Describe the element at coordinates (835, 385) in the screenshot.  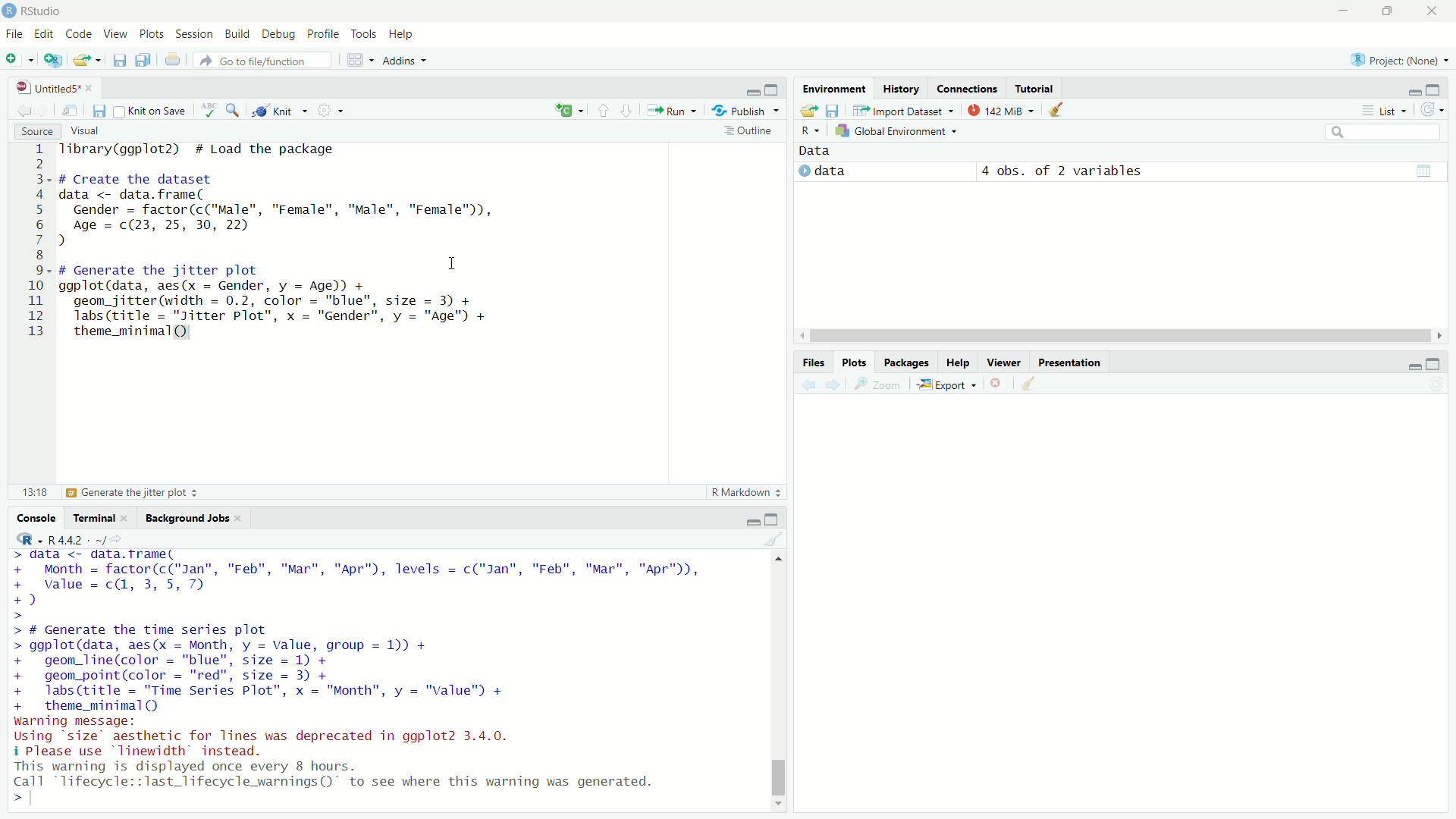
I see `next plot` at that location.